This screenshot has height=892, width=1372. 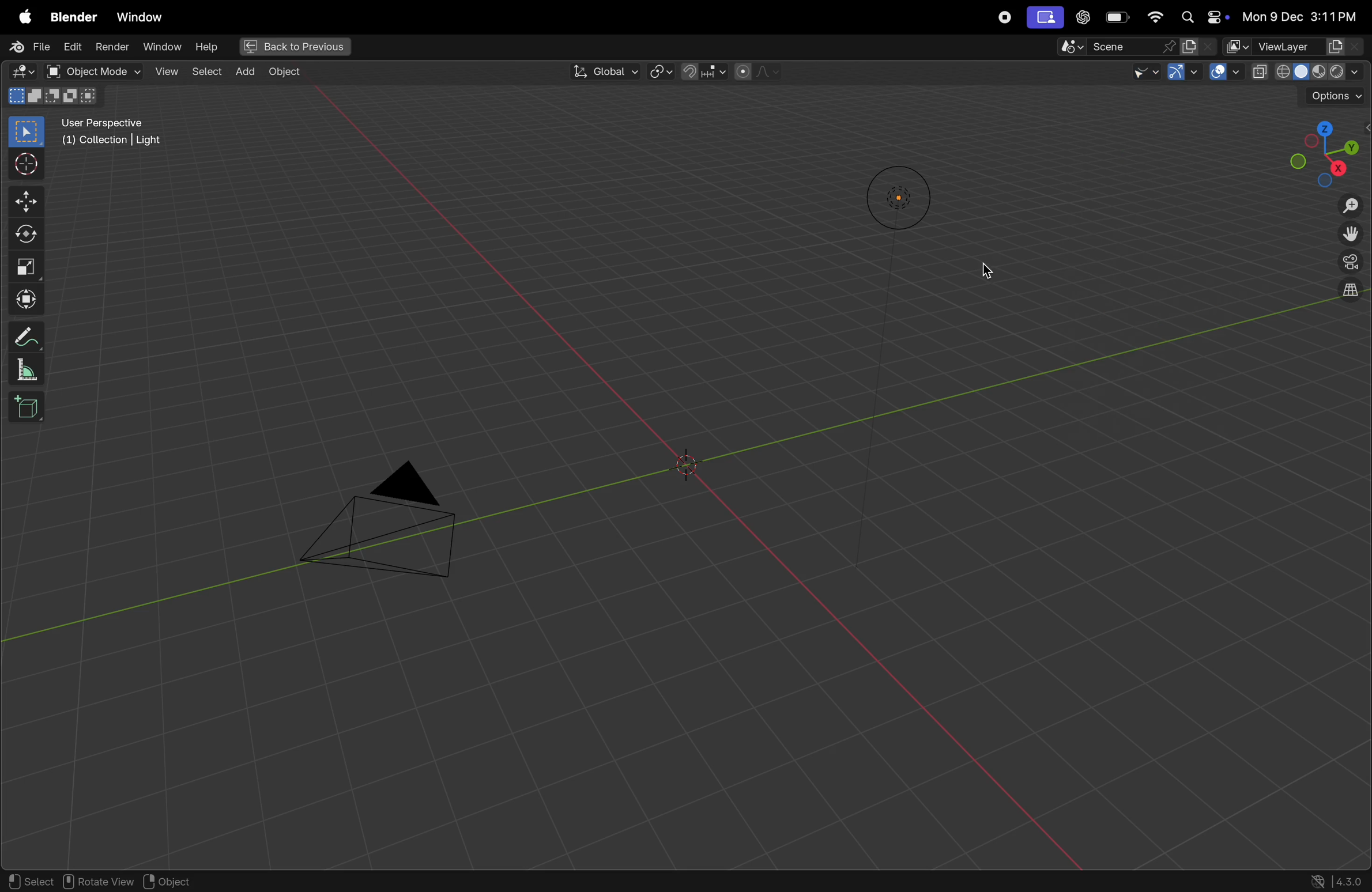 What do you see at coordinates (1225, 73) in the screenshot?
I see `overlays` at bounding box center [1225, 73].